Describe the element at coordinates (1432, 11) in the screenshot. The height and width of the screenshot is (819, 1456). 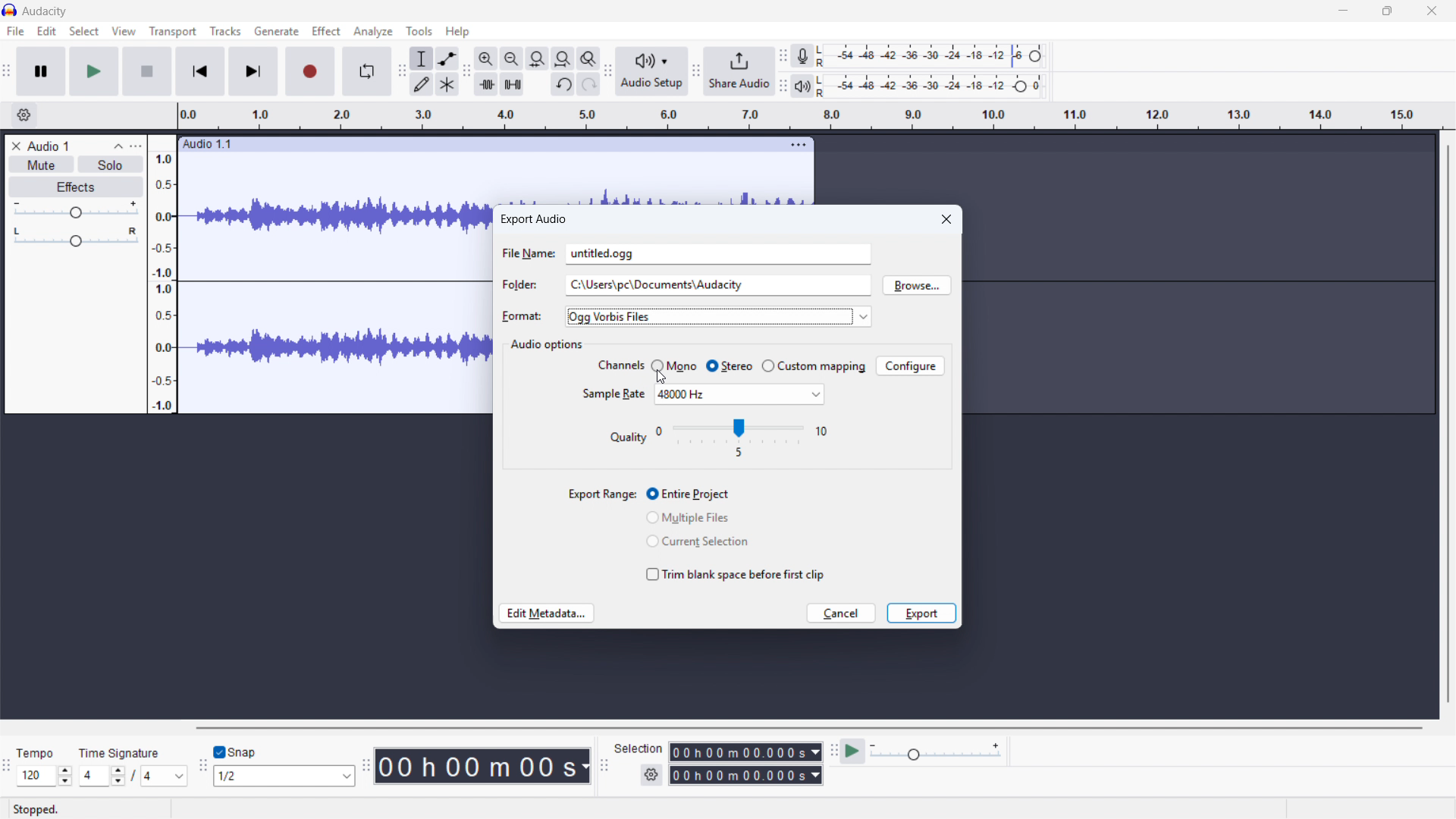
I see `close ` at that location.